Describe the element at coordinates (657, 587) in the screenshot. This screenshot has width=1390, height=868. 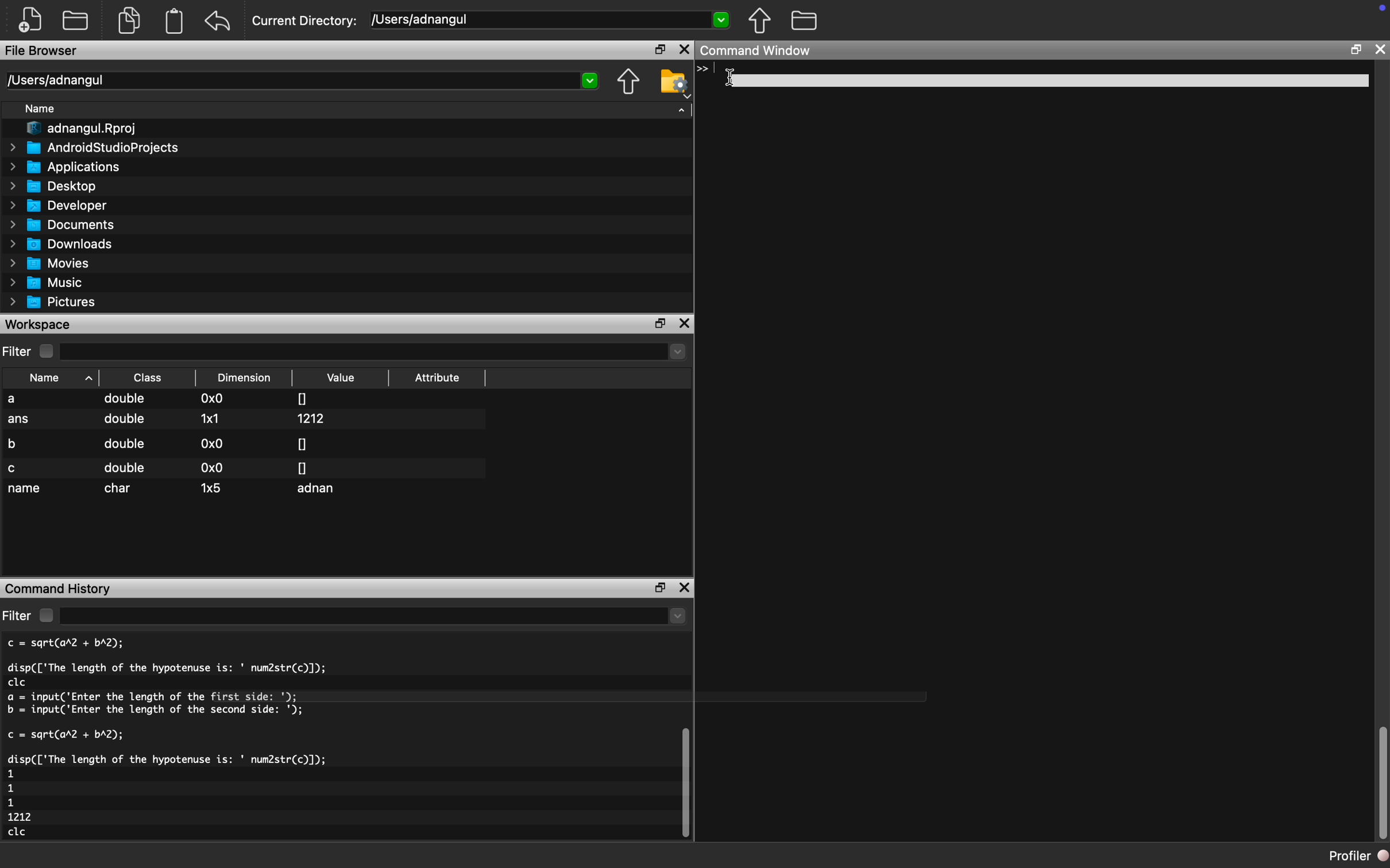
I see `restore down` at that location.